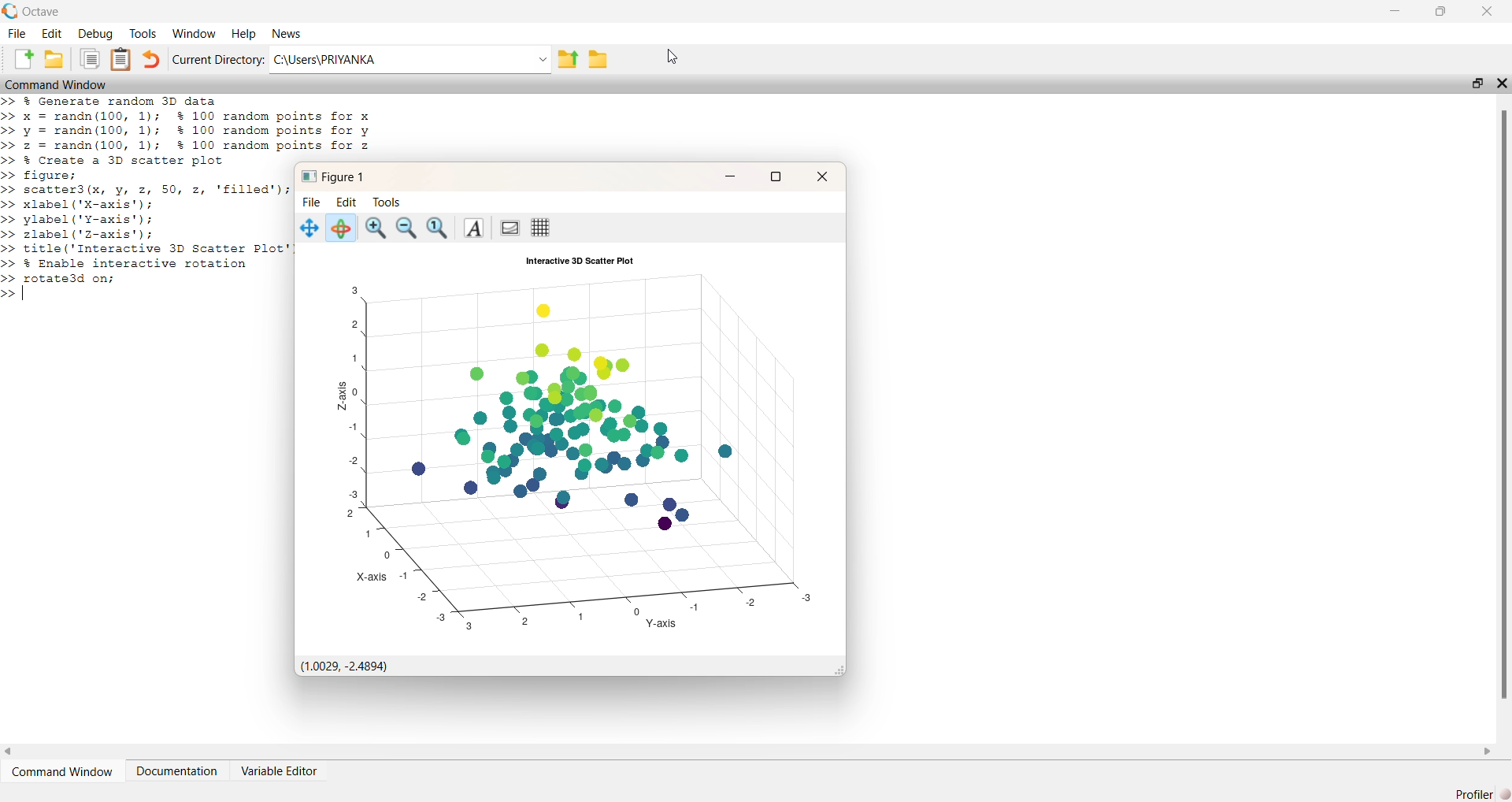 Image resolution: width=1512 pixels, height=802 pixels. I want to click on logo, so click(10, 11).